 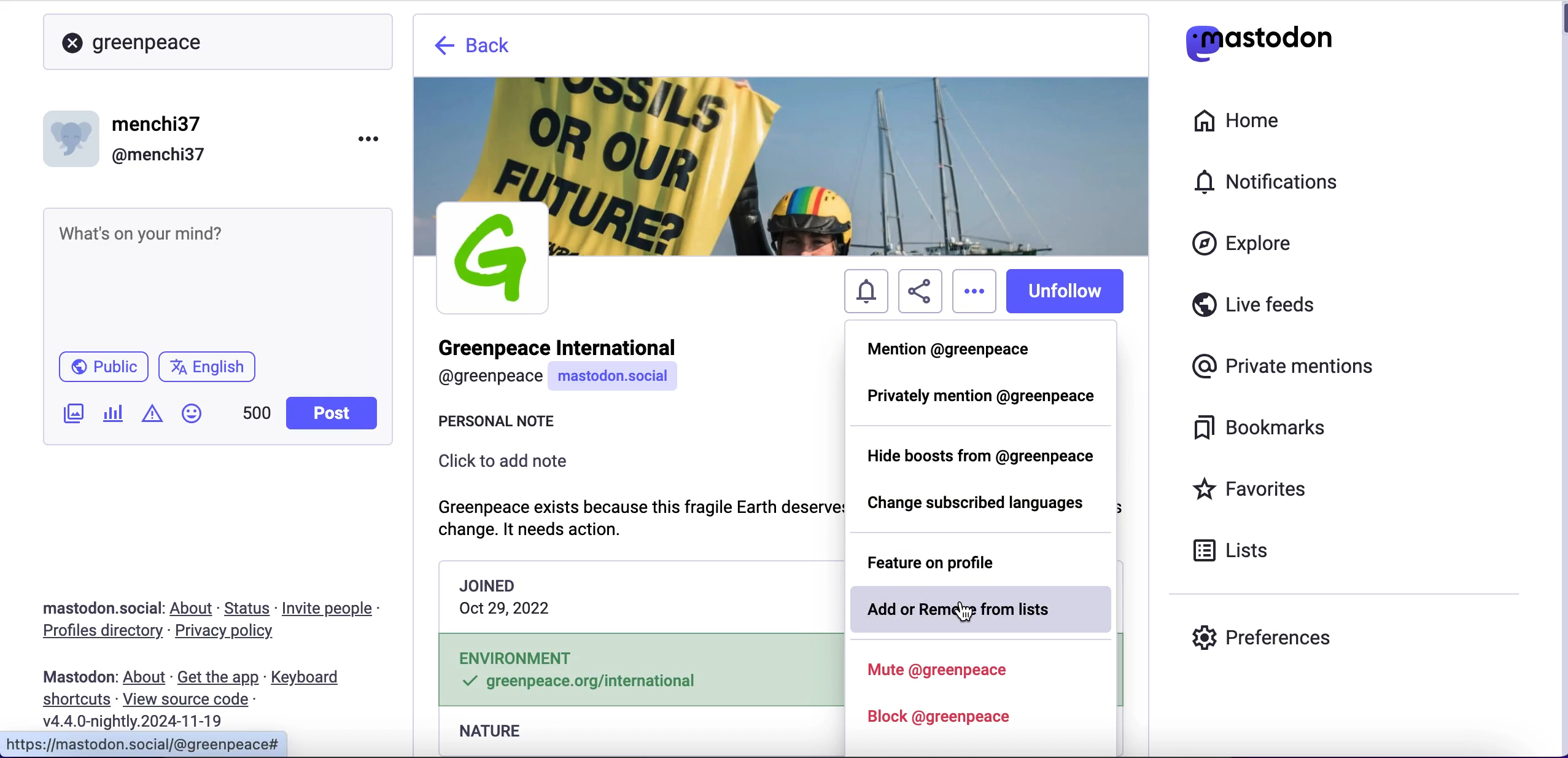 I want to click on close, so click(x=72, y=44).